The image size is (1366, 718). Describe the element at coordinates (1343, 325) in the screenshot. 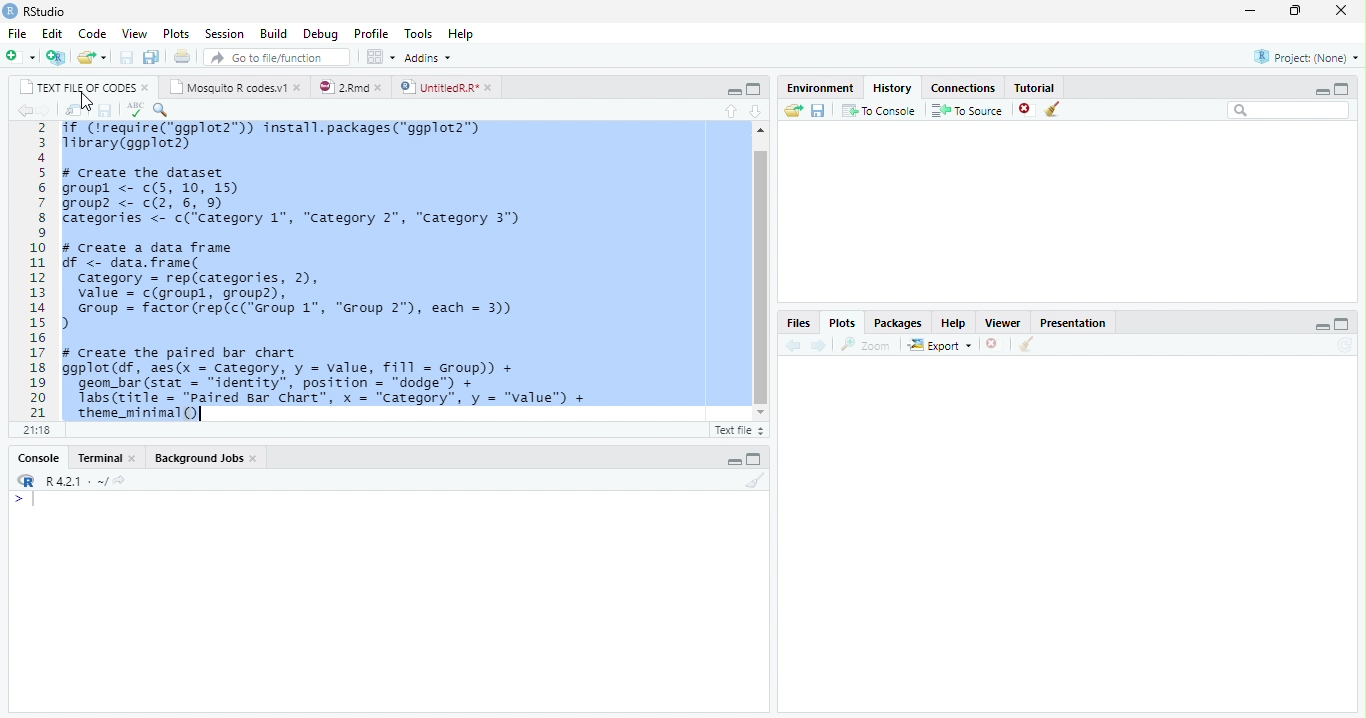

I see `maximize` at that location.